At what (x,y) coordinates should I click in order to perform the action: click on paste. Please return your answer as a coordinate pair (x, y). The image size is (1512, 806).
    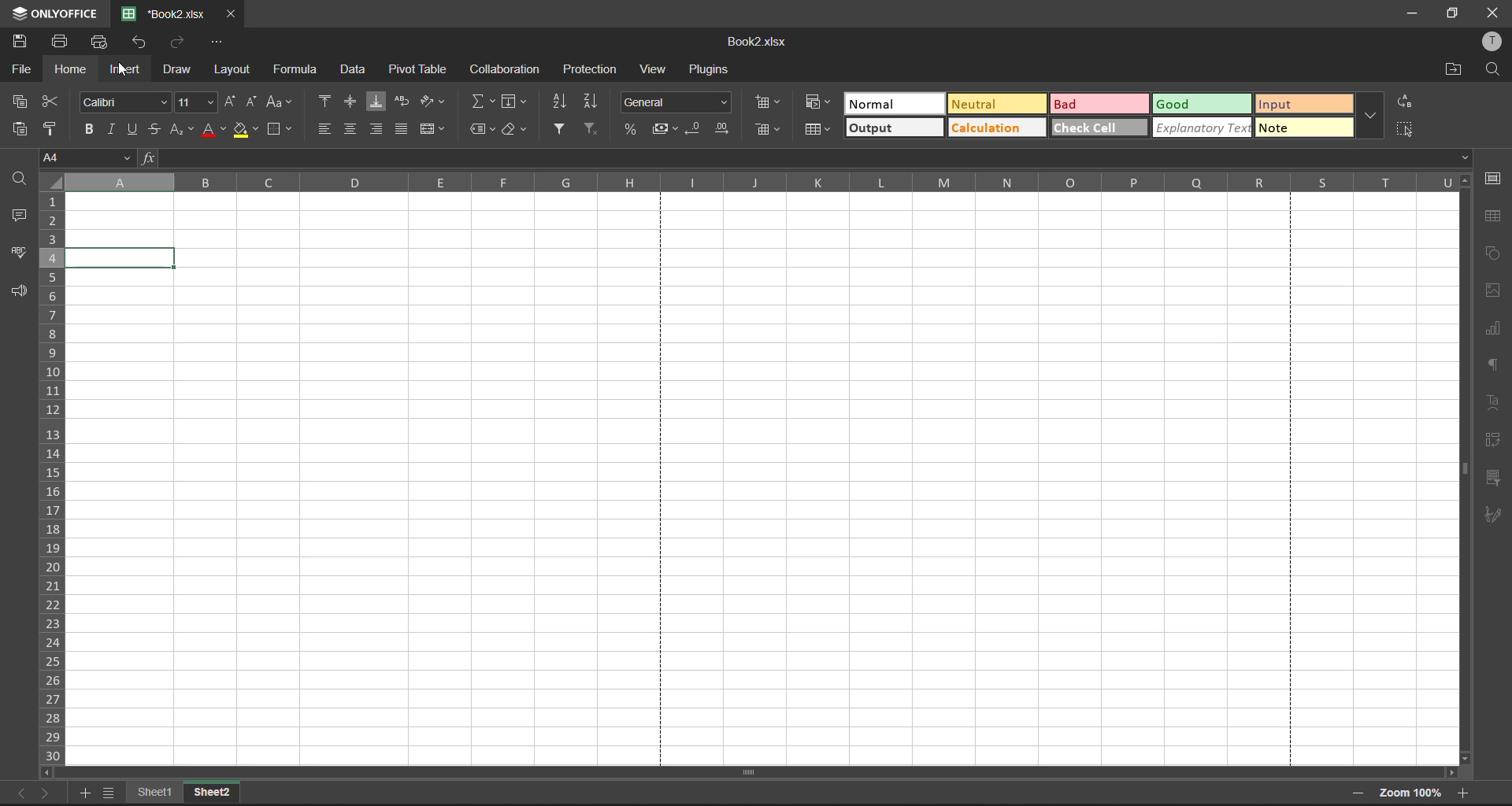
    Looking at the image, I should click on (20, 129).